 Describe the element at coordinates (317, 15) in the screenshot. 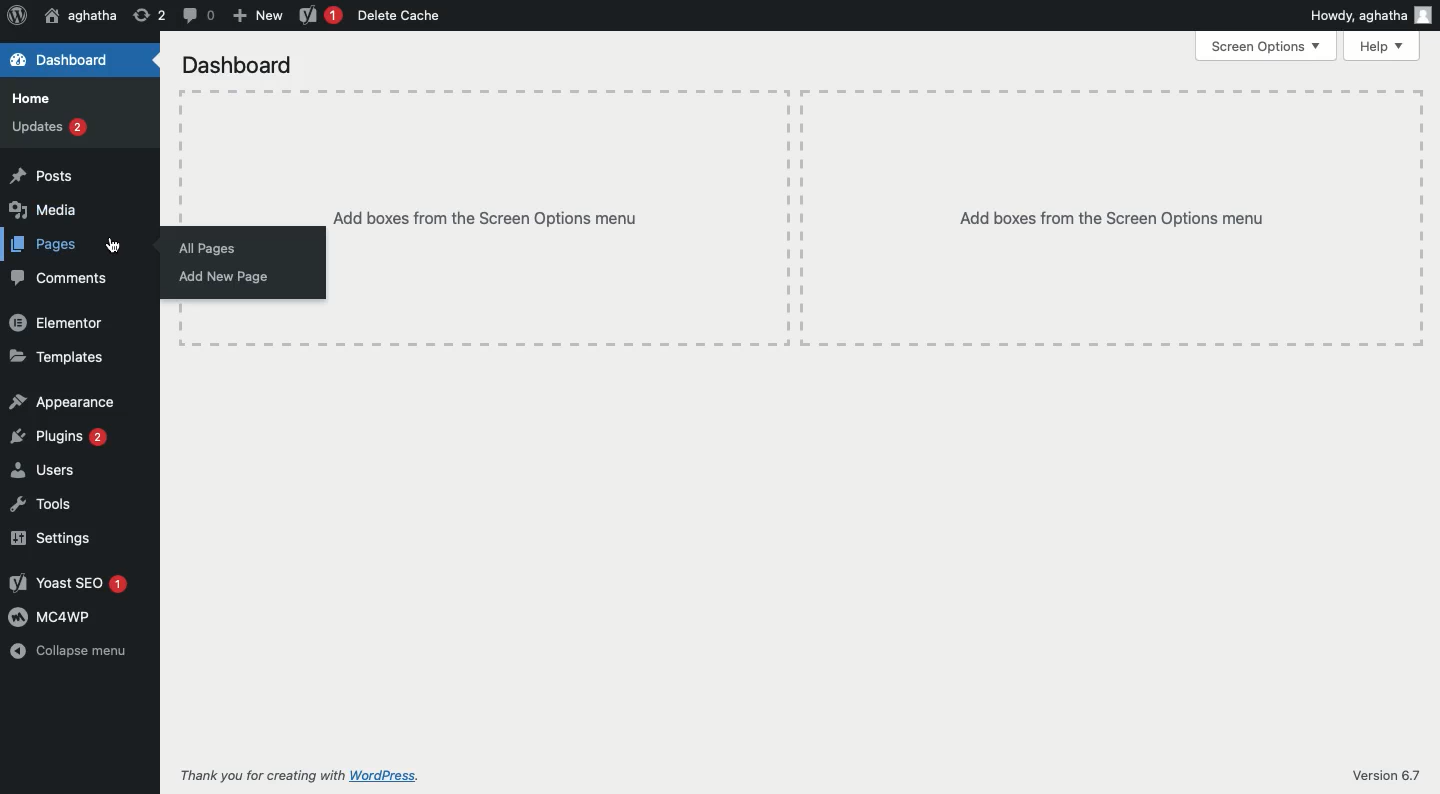

I see `Yoast` at that location.